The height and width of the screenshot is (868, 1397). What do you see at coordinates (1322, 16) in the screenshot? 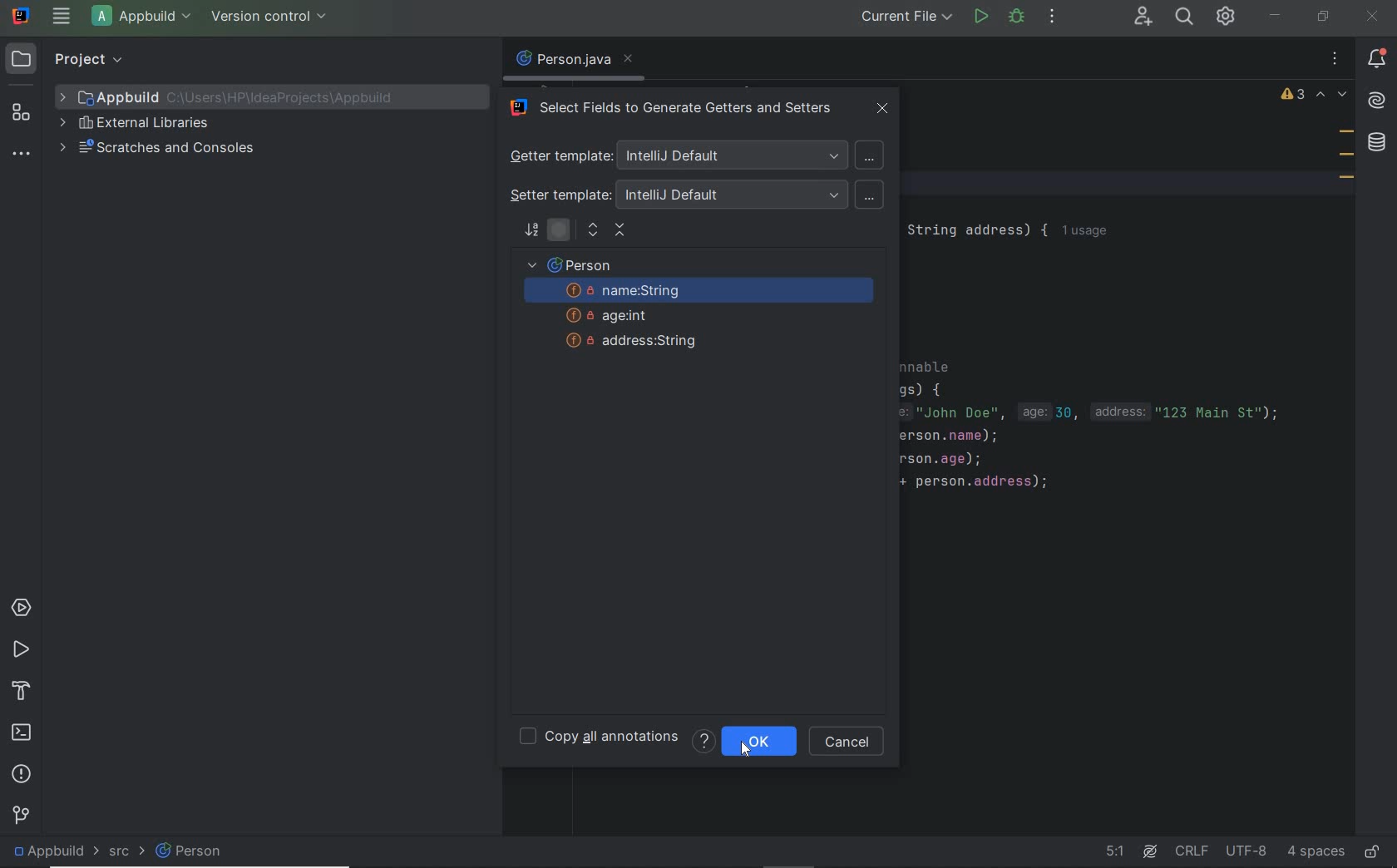
I see `restore down` at bounding box center [1322, 16].